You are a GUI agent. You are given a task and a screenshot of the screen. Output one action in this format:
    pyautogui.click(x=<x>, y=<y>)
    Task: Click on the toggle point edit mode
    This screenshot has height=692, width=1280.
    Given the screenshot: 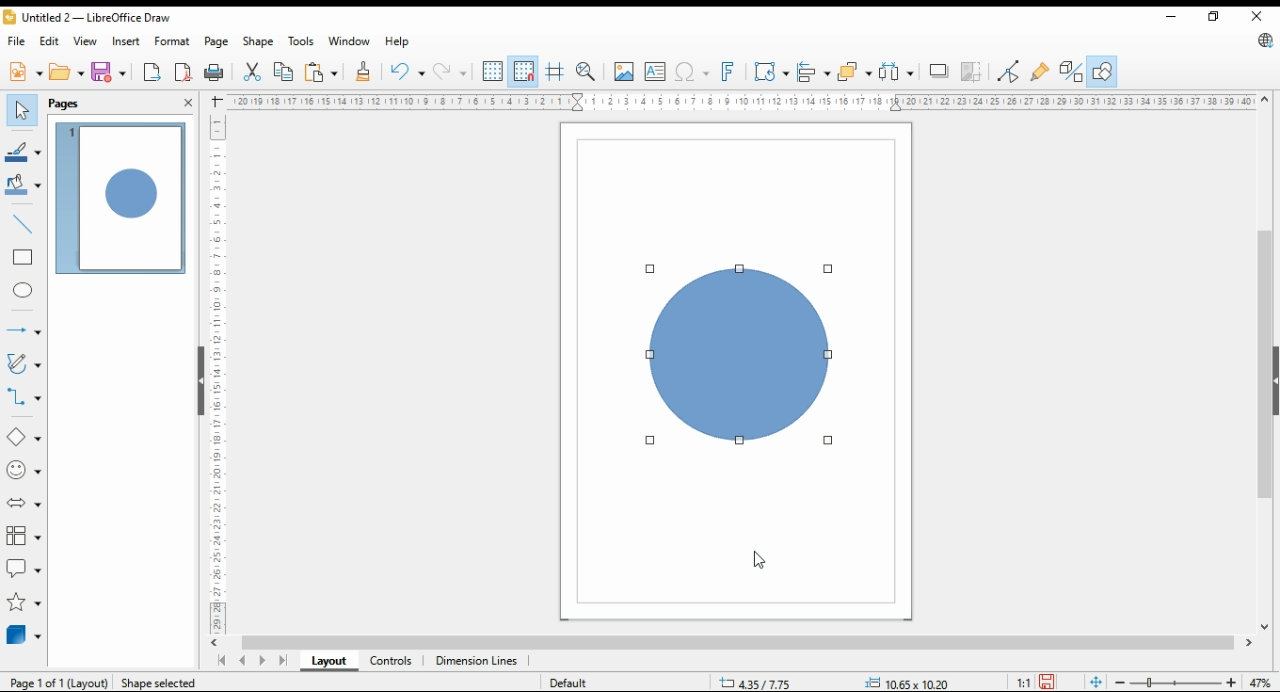 What is the action you would take?
    pyautogui.click(x=1007, y=70)
    